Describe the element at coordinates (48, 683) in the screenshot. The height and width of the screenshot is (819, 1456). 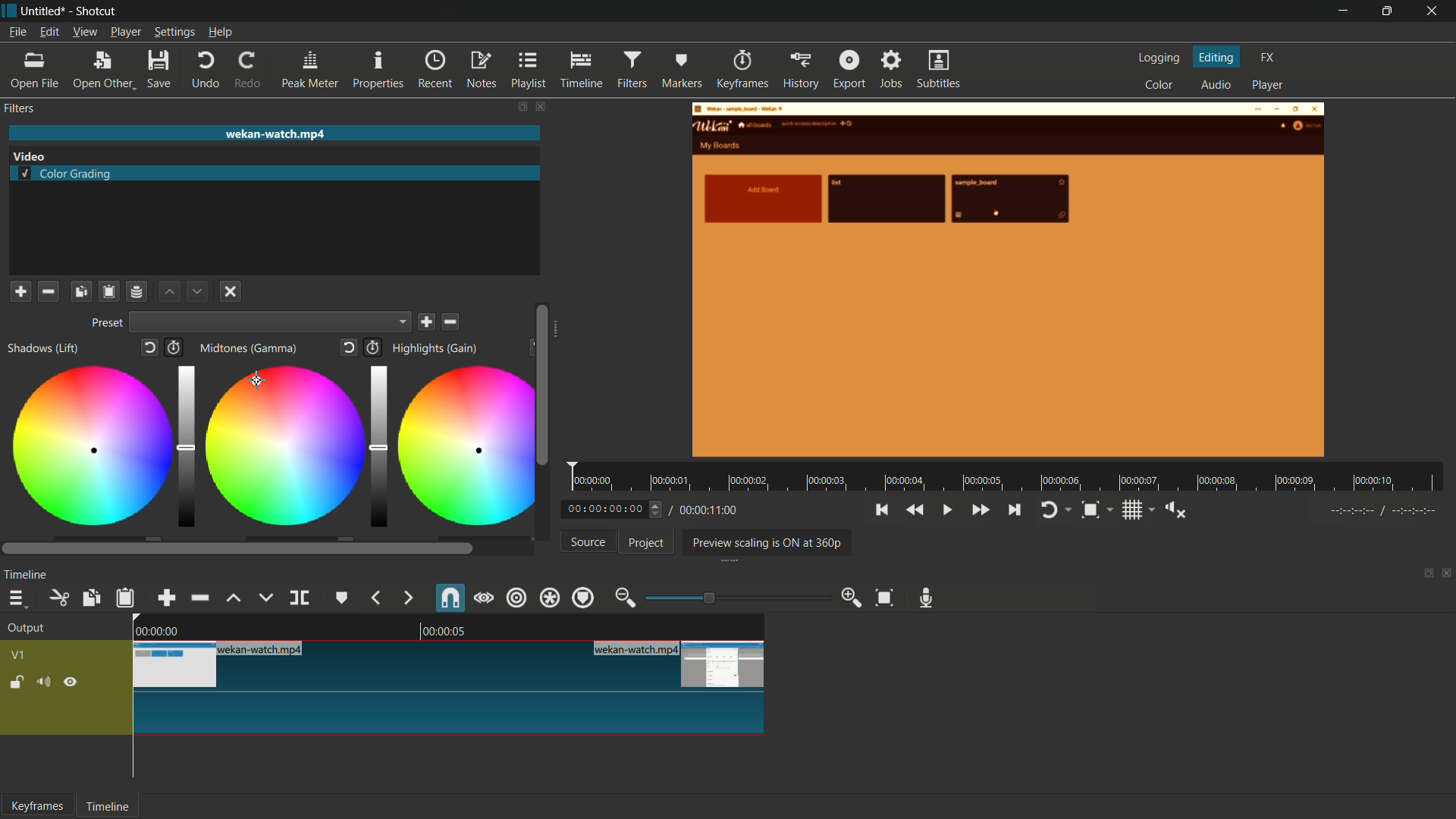
I see `mute` at that location.